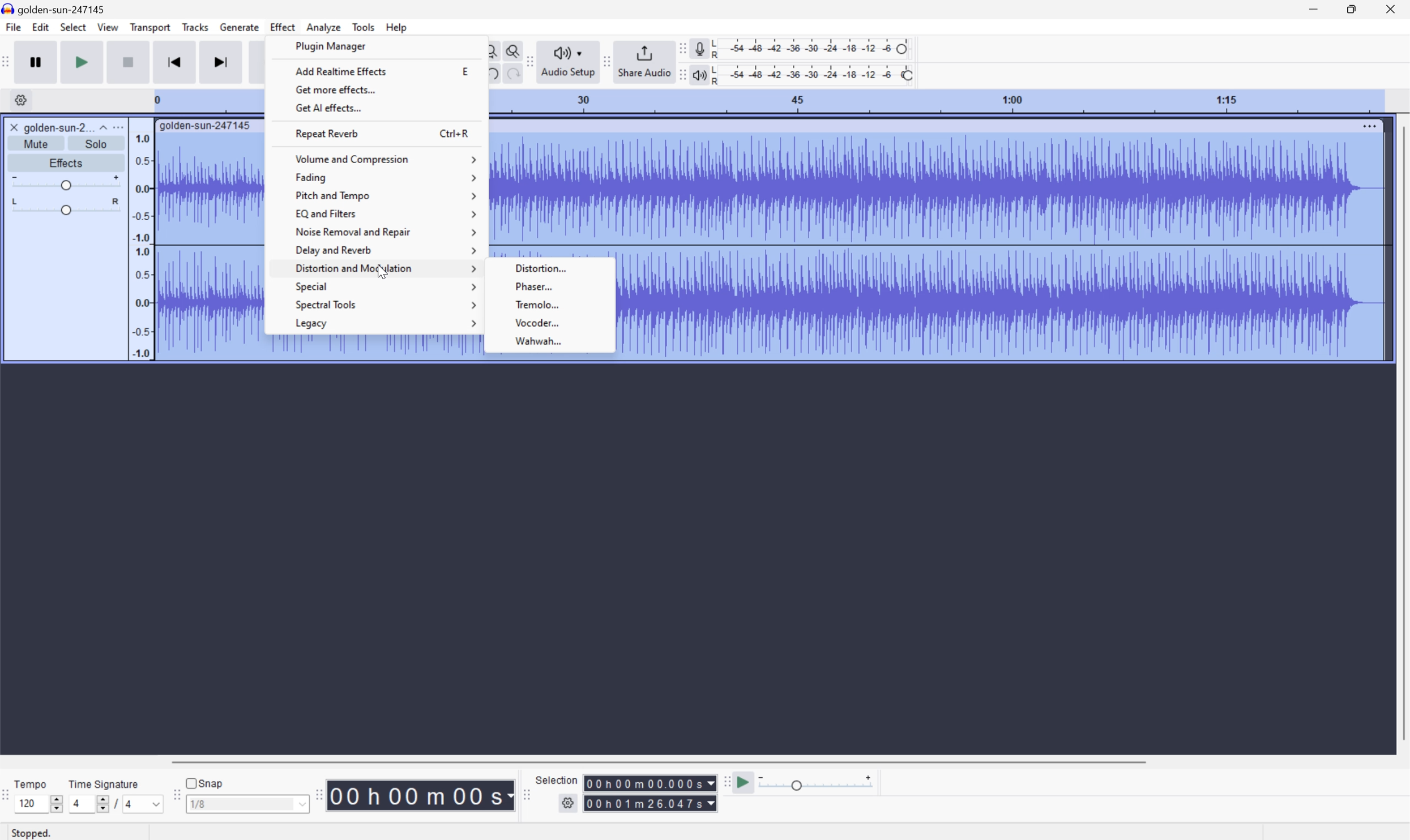 Image resolution: width=1410 pixels, height=840 pixels. What do you see at coordinates (363, 25) in the screenshot?
I see `Tools` at bounding box center [363, 25].